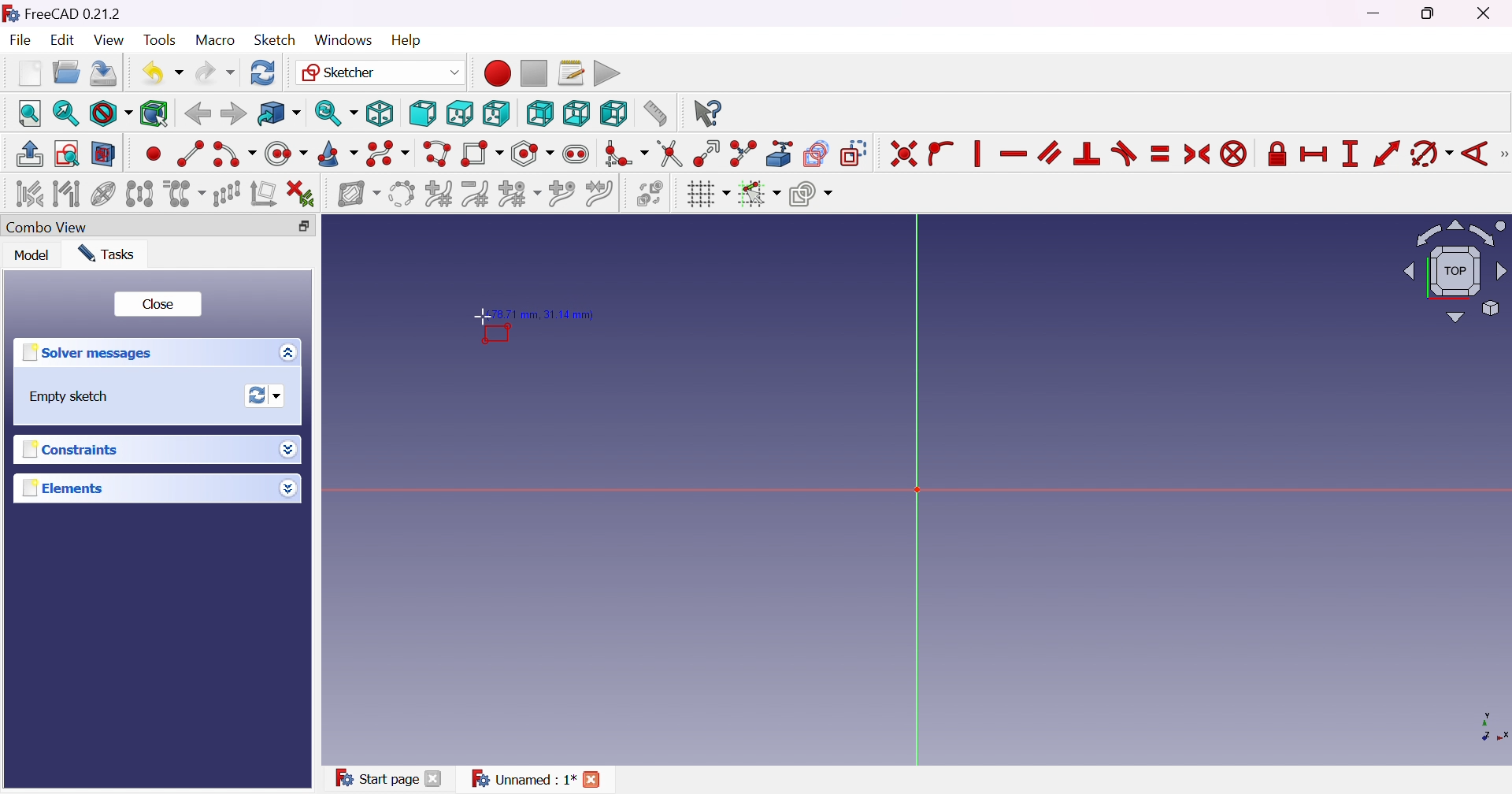 The width and height of the screenshot is (1512, 794). Describe the element at coordinates (976, 154) in the screenshot. I see `Vertically` at that location.